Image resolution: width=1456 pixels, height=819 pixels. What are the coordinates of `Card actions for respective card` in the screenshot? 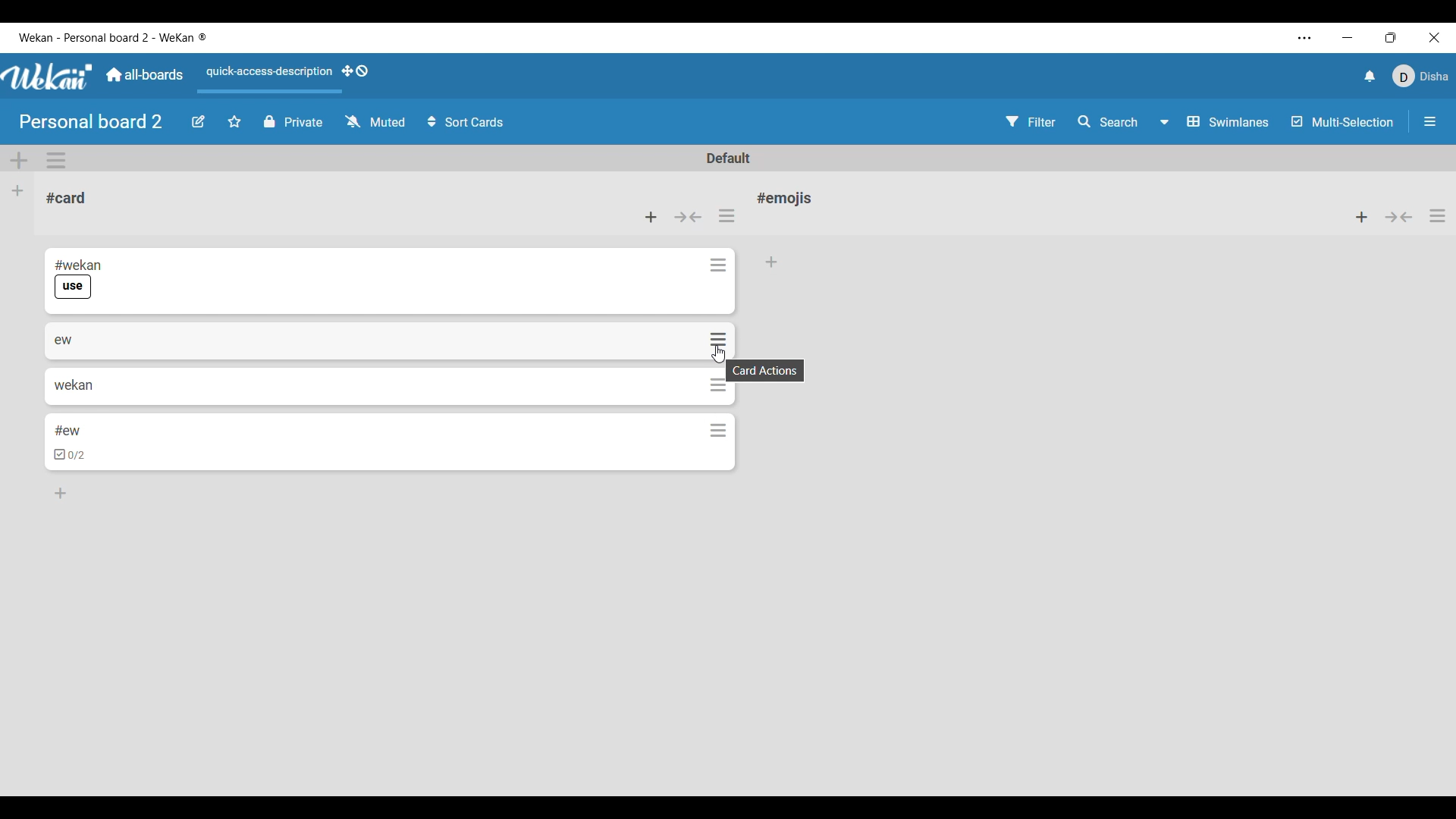 It's located at (720, 428).